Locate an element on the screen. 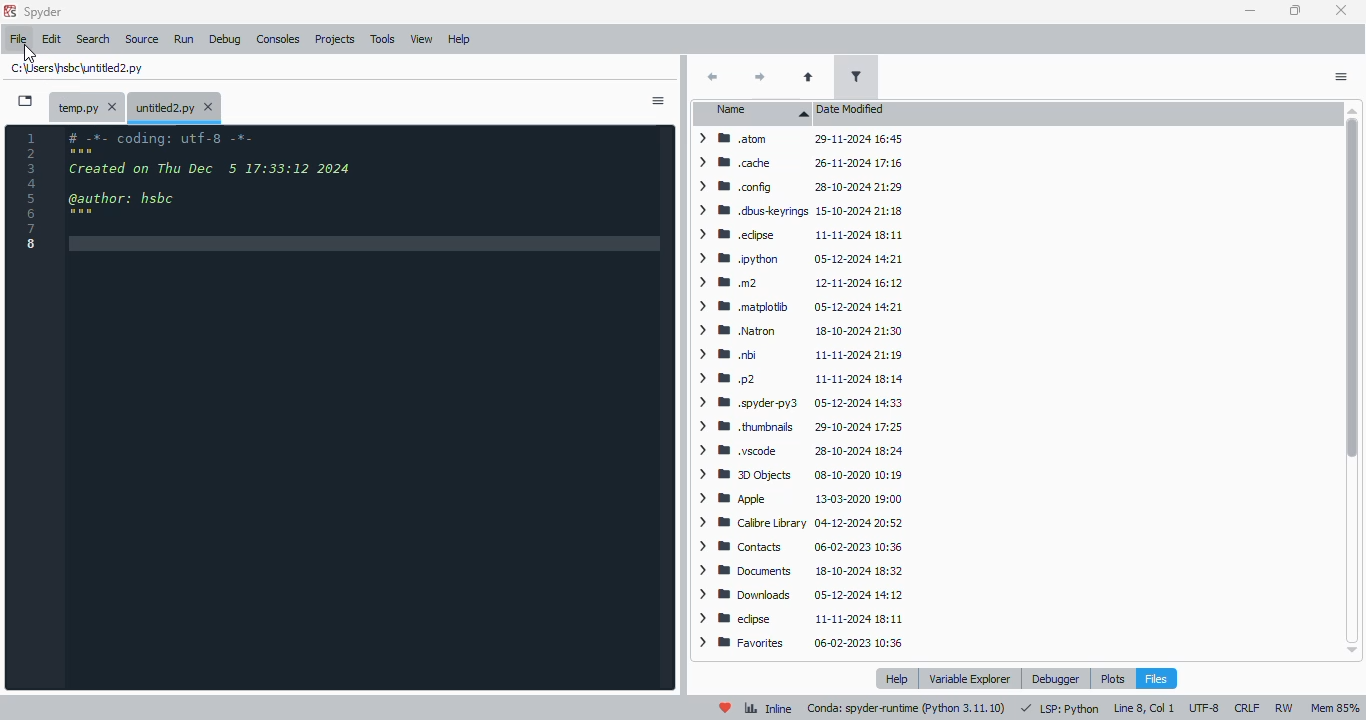  help is located at coordinates (458, 39).